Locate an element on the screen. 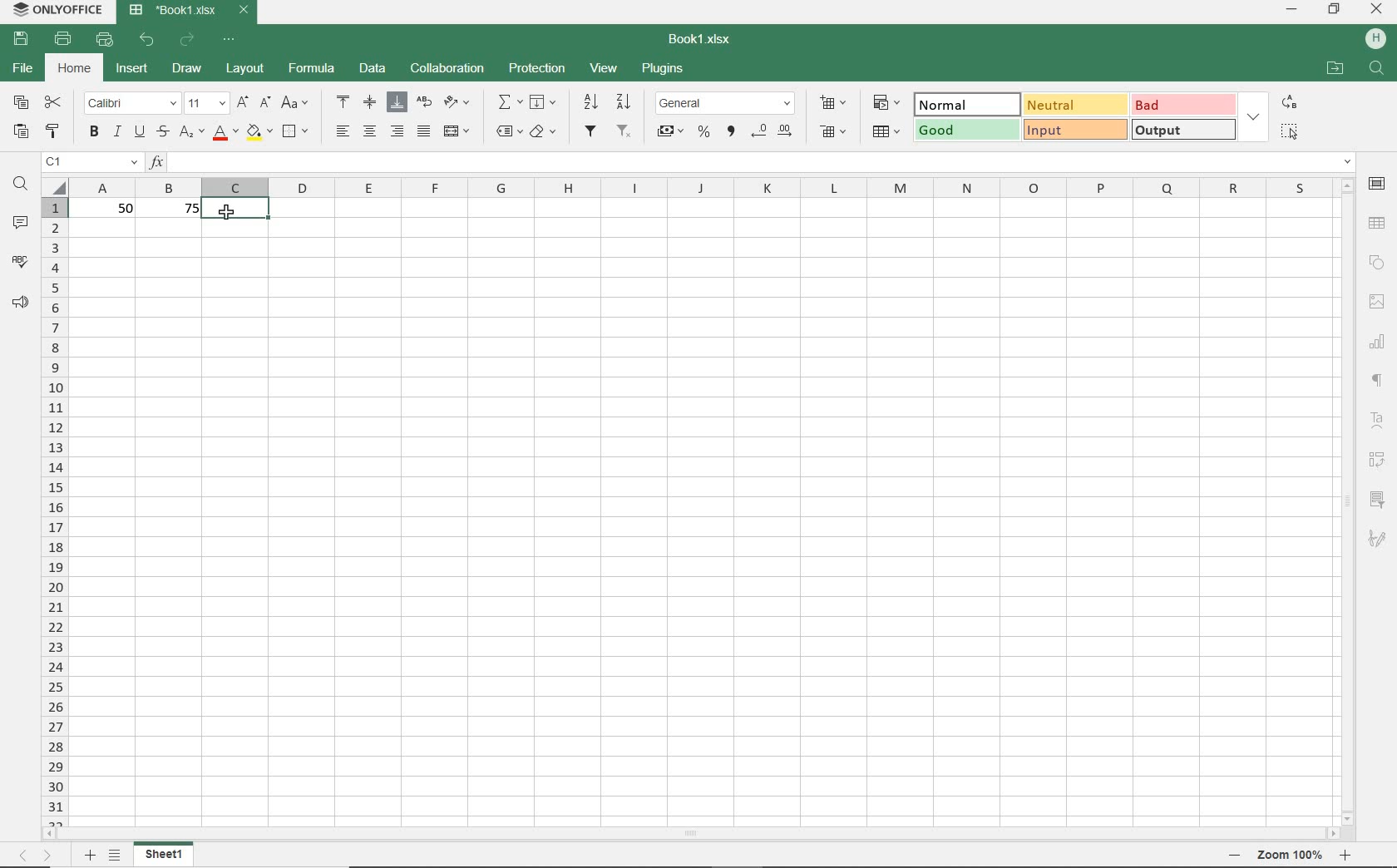 This screenshot has width=1397, height=868. strikethrough is located at coordinates (163, 132).